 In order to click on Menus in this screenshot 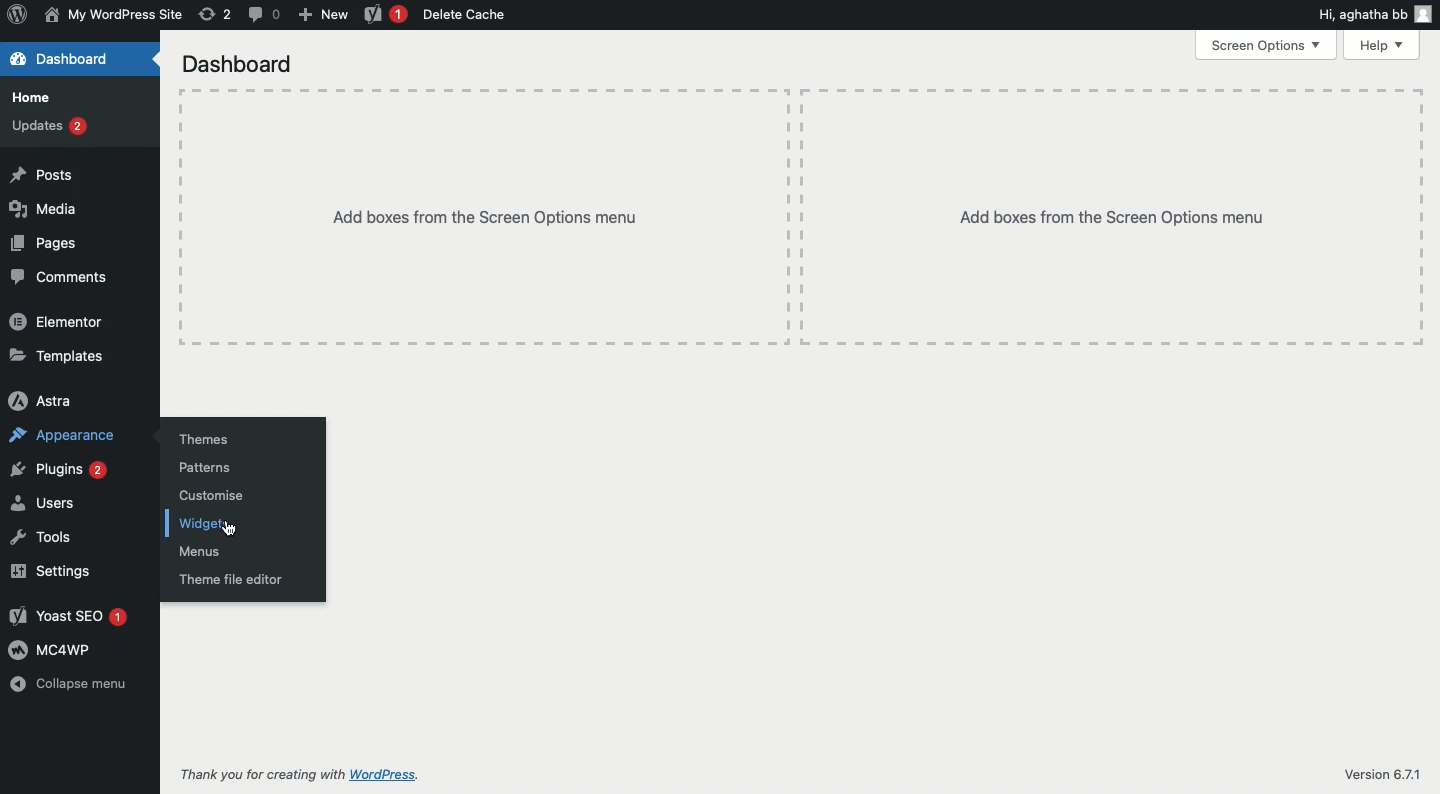, I will do `click(202, 553)`.